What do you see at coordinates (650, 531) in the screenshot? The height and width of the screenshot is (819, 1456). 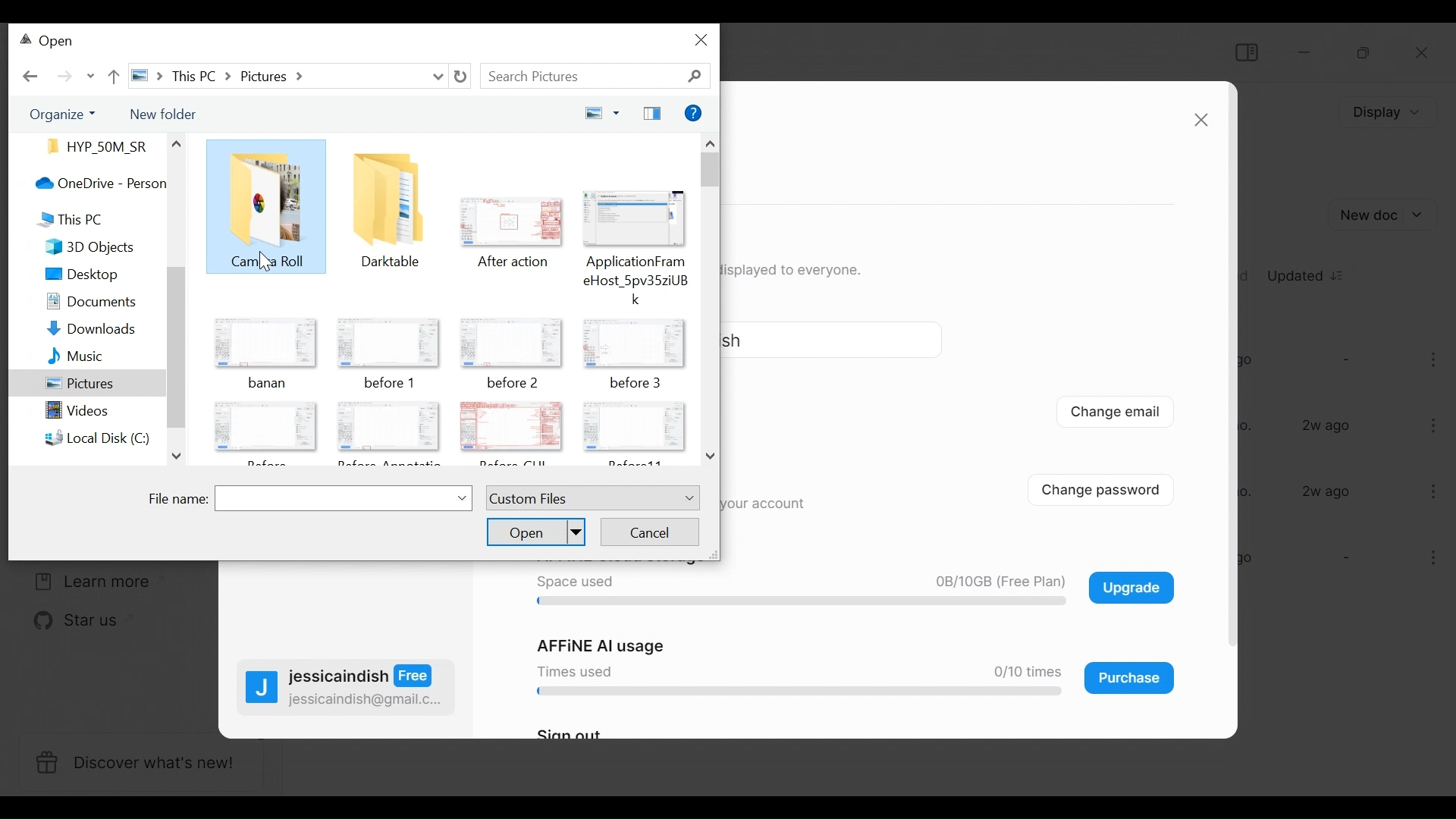 I see `Cancel` at bounding box center [650, 531].